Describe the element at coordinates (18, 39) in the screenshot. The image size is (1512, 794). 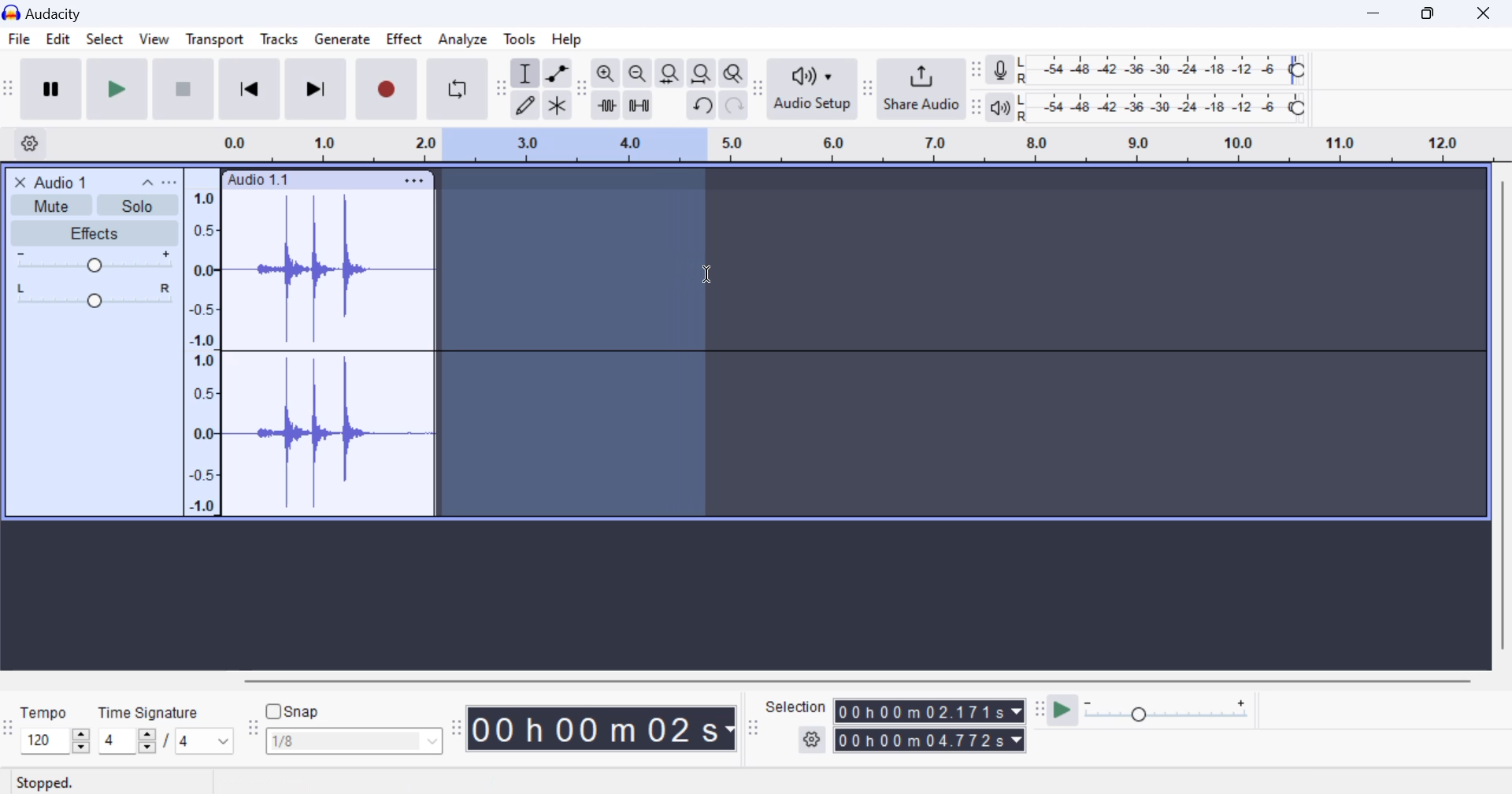
I see `File` at that location.